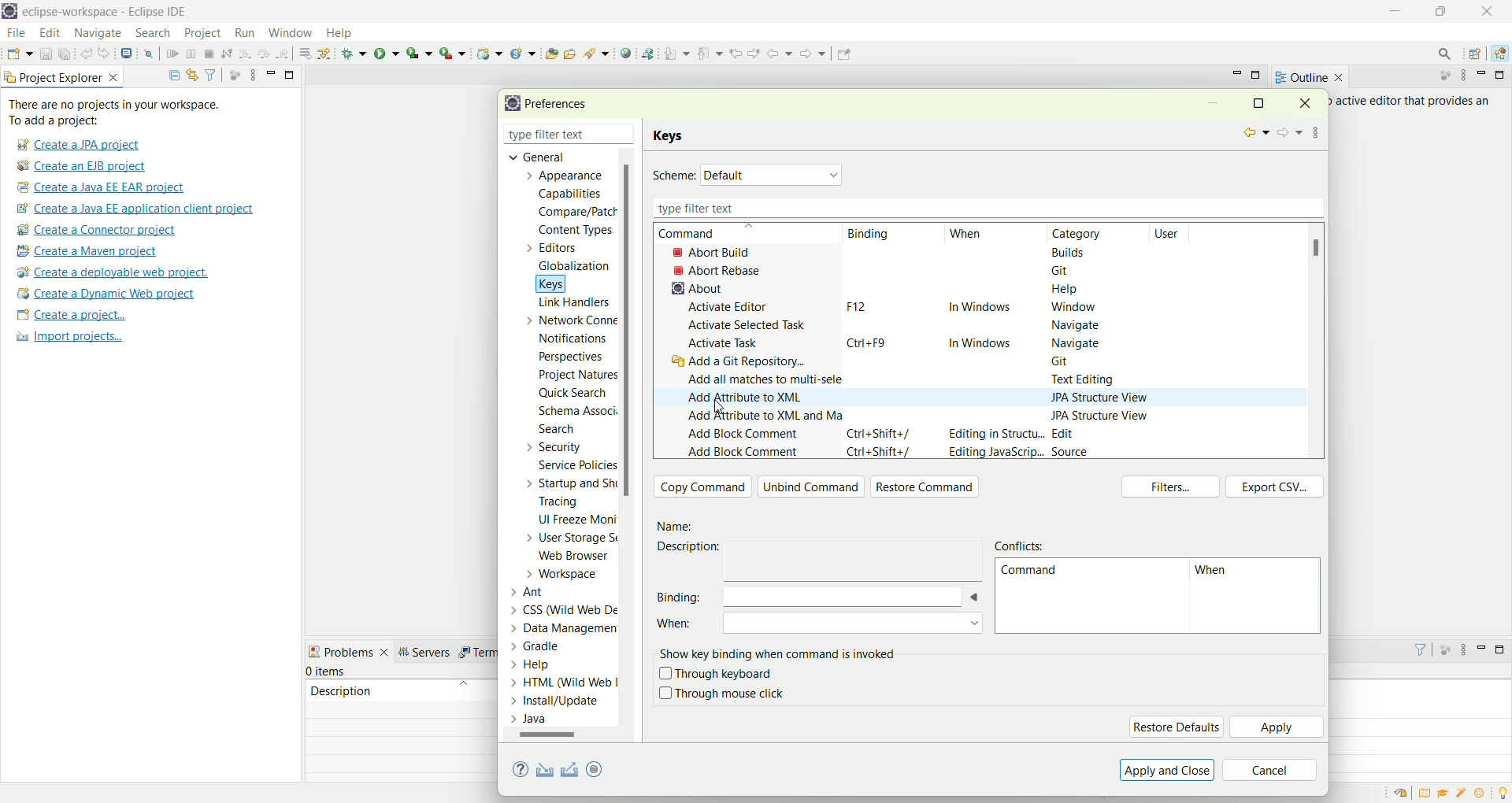  I want to click on create a maven project, so click(92, 252).